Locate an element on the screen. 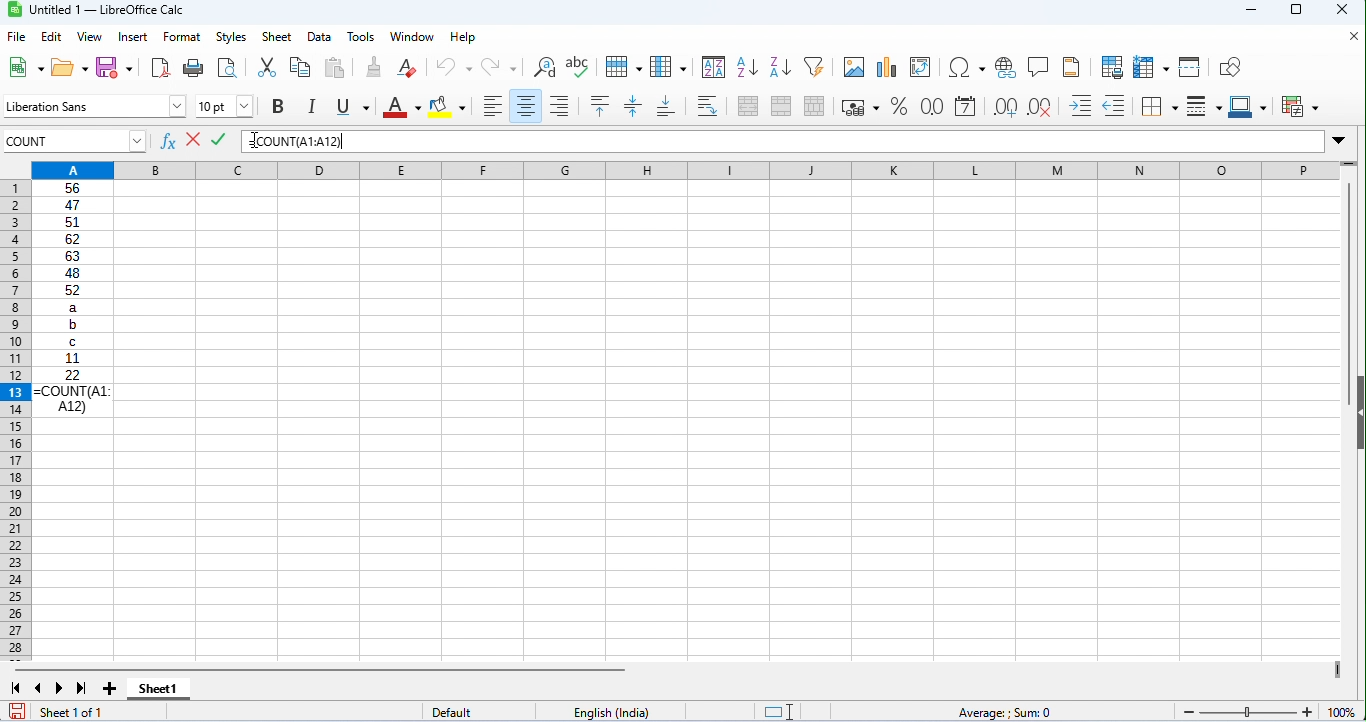 Image resolution: width=1366 pixels, height=722 pixels. font size is located at coordinates (225, 106).